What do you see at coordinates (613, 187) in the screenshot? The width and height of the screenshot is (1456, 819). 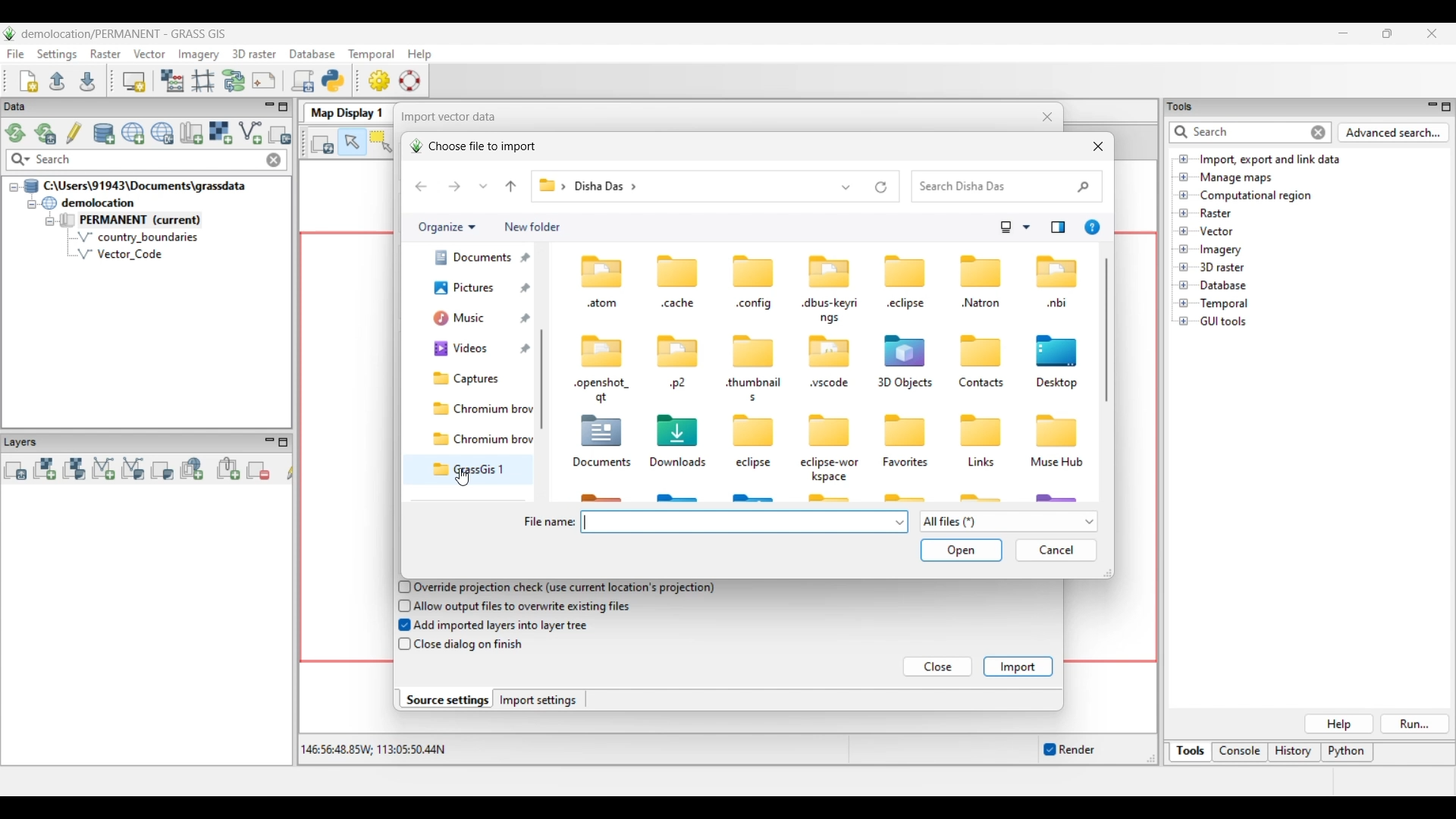 I see `disha das` at bounding box center [613, 187].